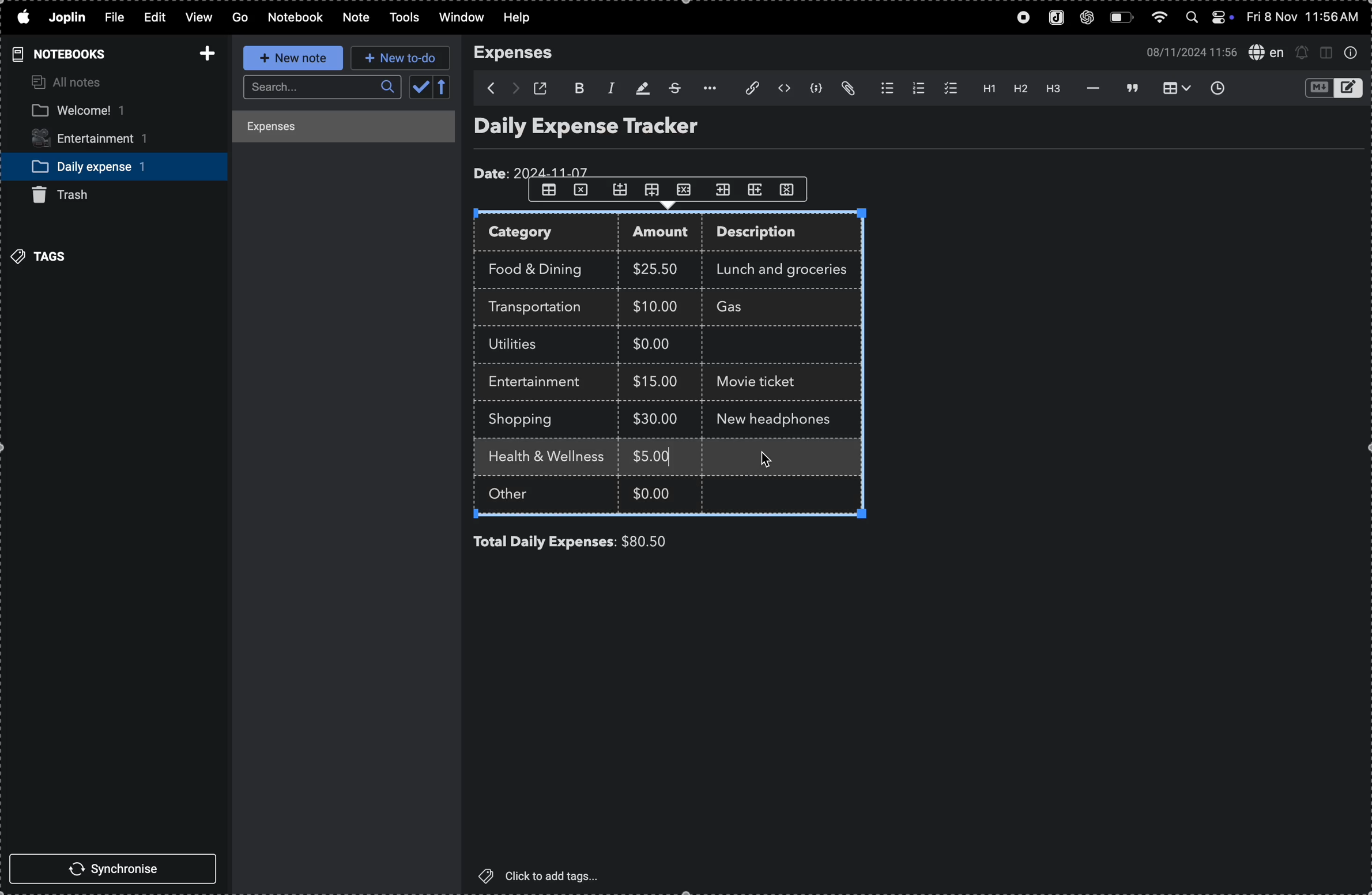  I want to click on battery, so click(1121, 18).